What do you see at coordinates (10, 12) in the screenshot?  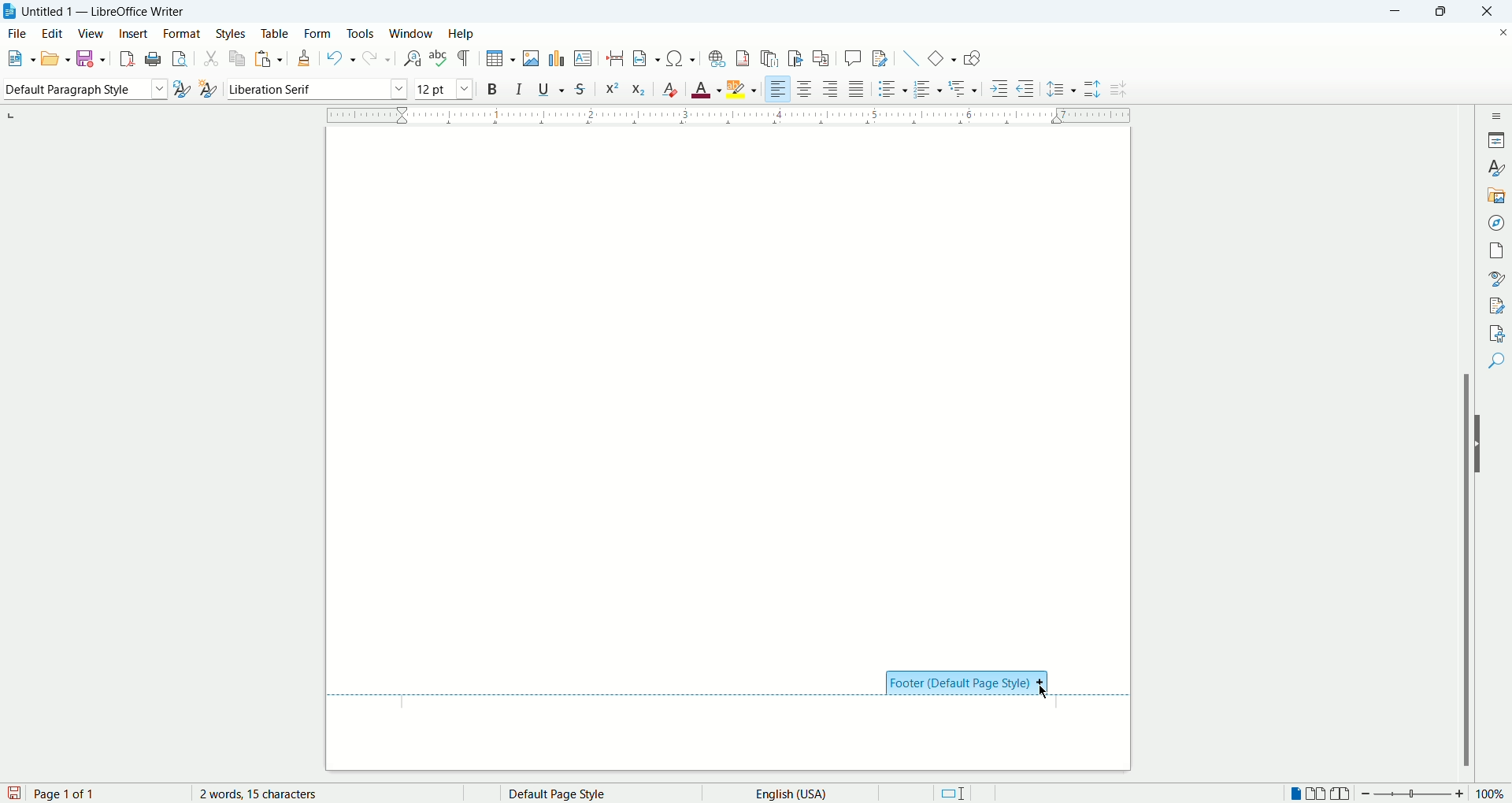 I see `application icon` at bounding box center [10, 12].